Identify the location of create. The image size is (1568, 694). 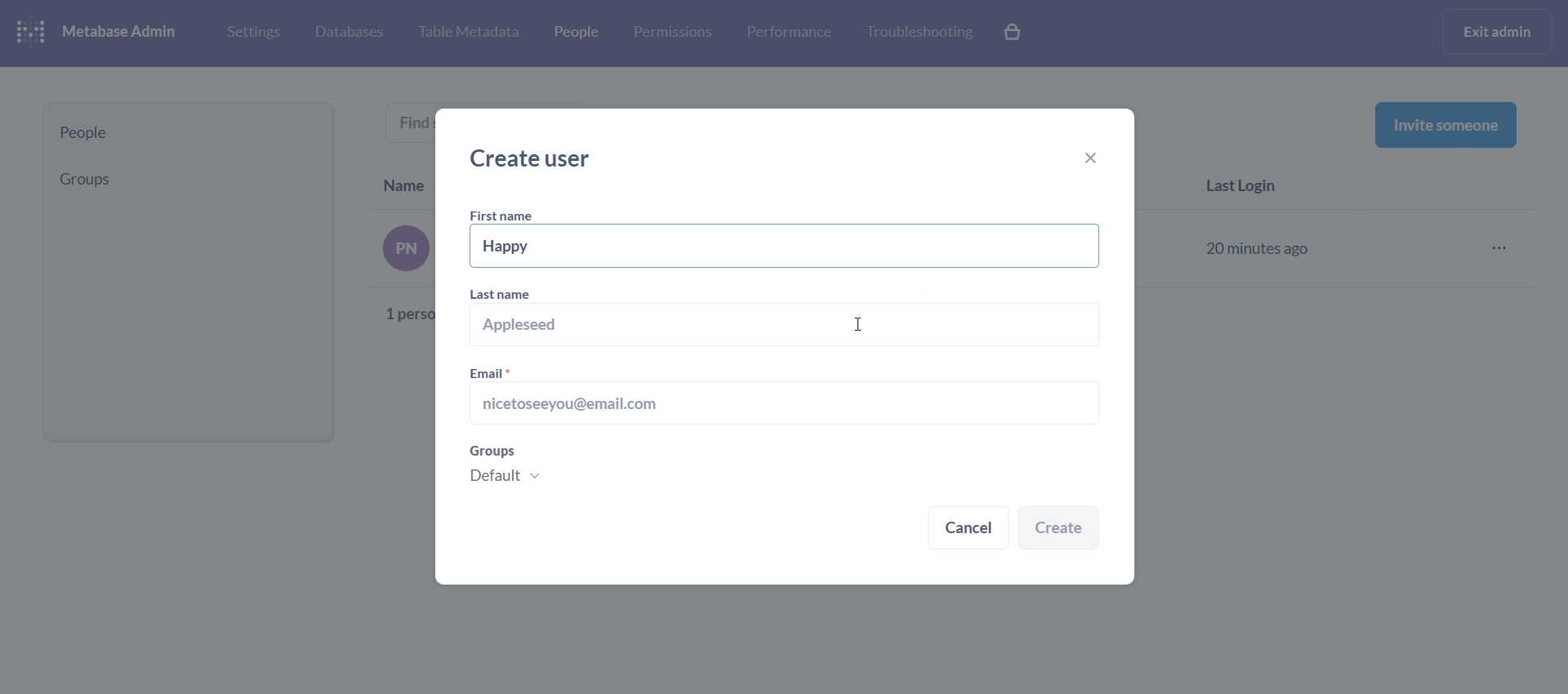
(1059, 529).